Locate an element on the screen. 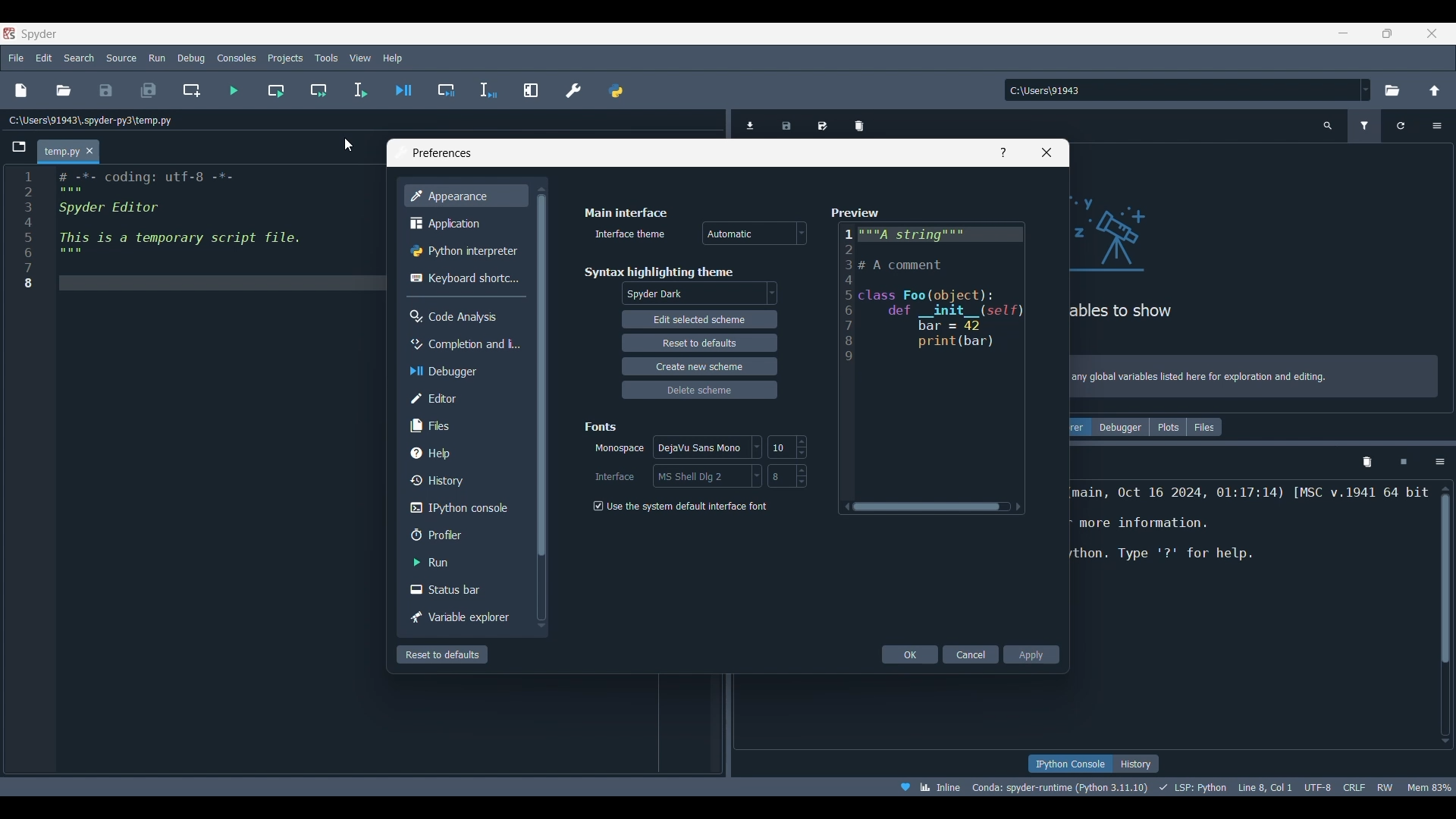  Plots is located at coordinates (1165, 428).